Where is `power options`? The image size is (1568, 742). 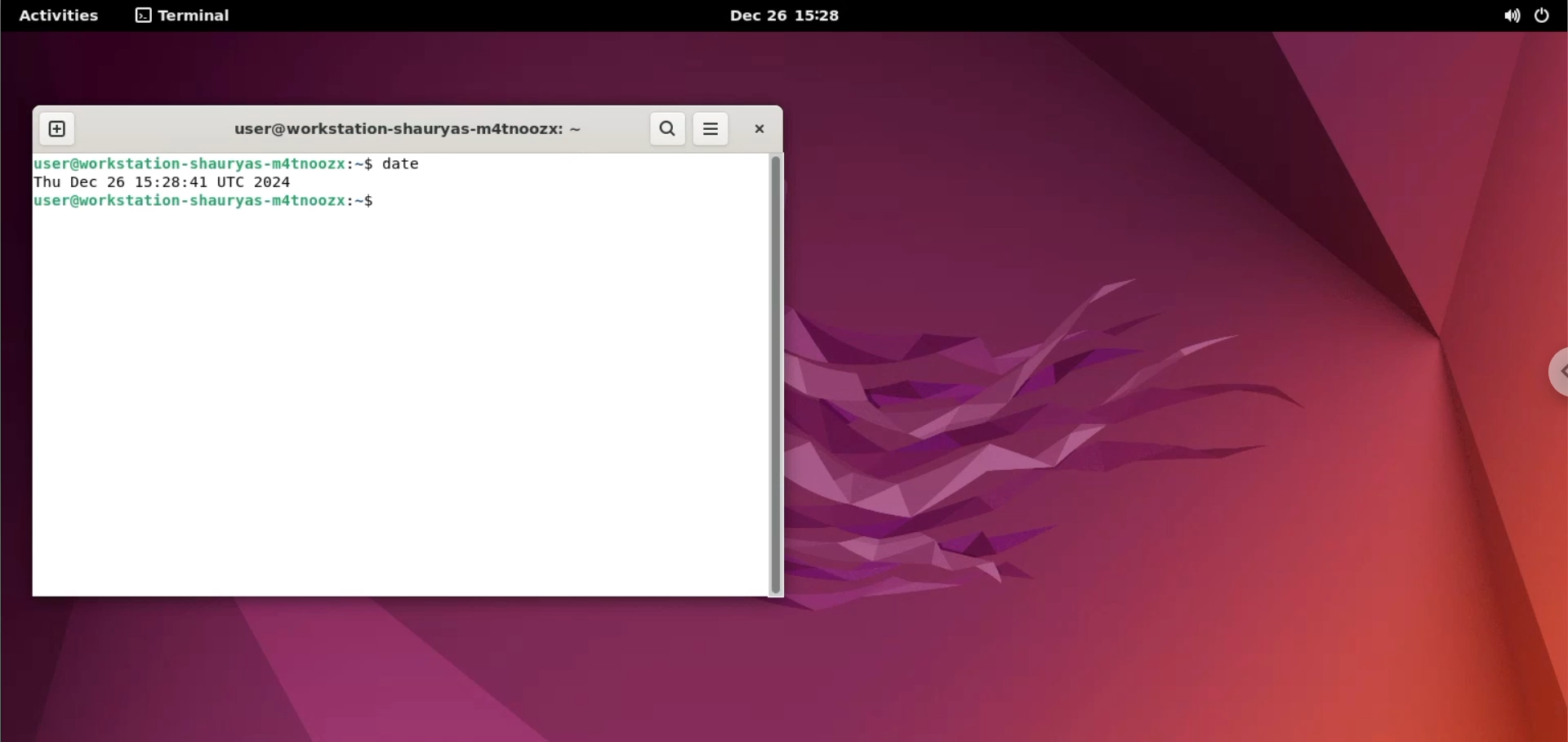 power options is located at coordinates (1549, 16).